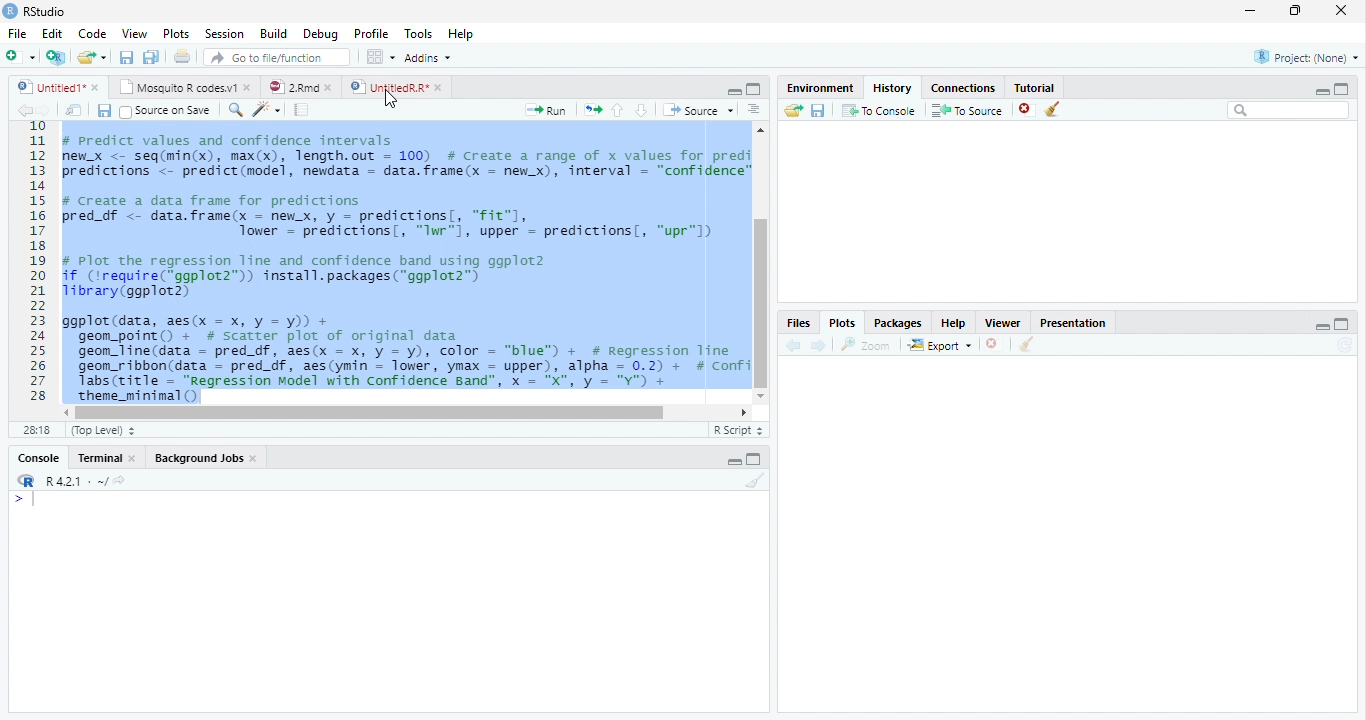  What do you see at coordinates (67, 480) in the screenshot?
I see `R 4.2.1` at bounding box center [67, 480].